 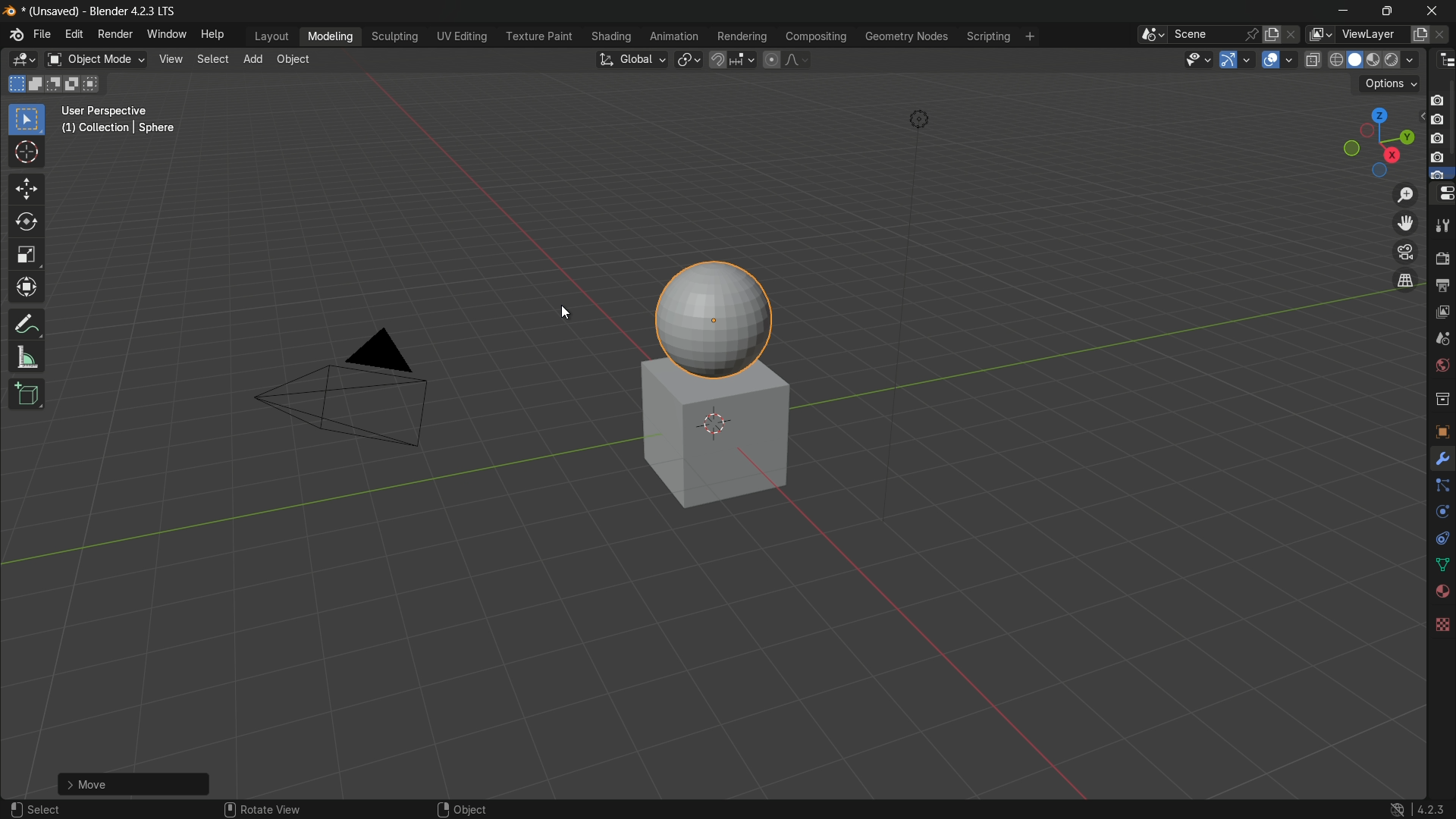 I want to click on browse views, so click(x=1321, y=36).